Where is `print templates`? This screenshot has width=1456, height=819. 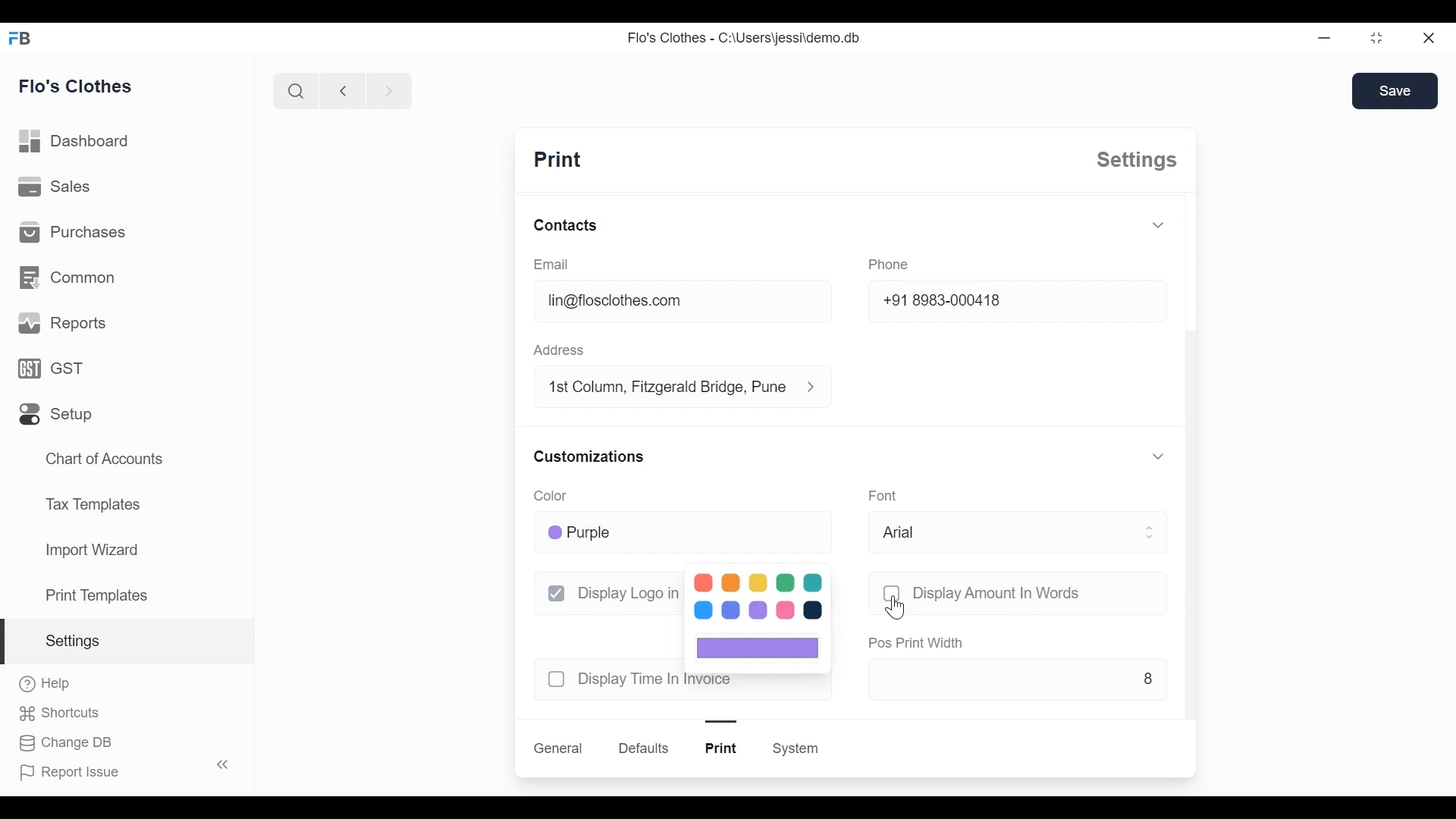 print templates is located at coordinates (97, 595).